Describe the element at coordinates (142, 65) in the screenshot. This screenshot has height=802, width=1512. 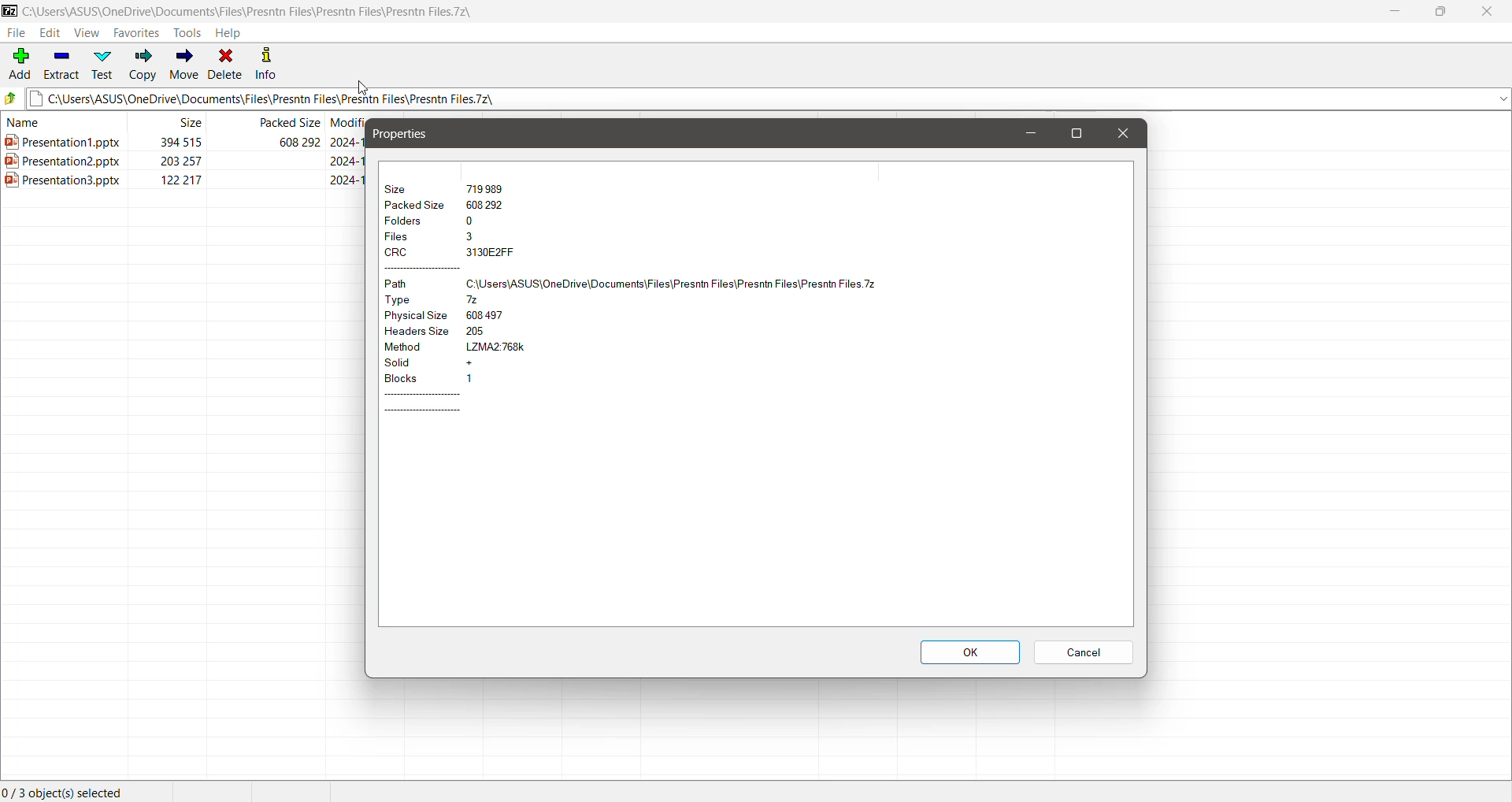
I see `Copy` at that location.